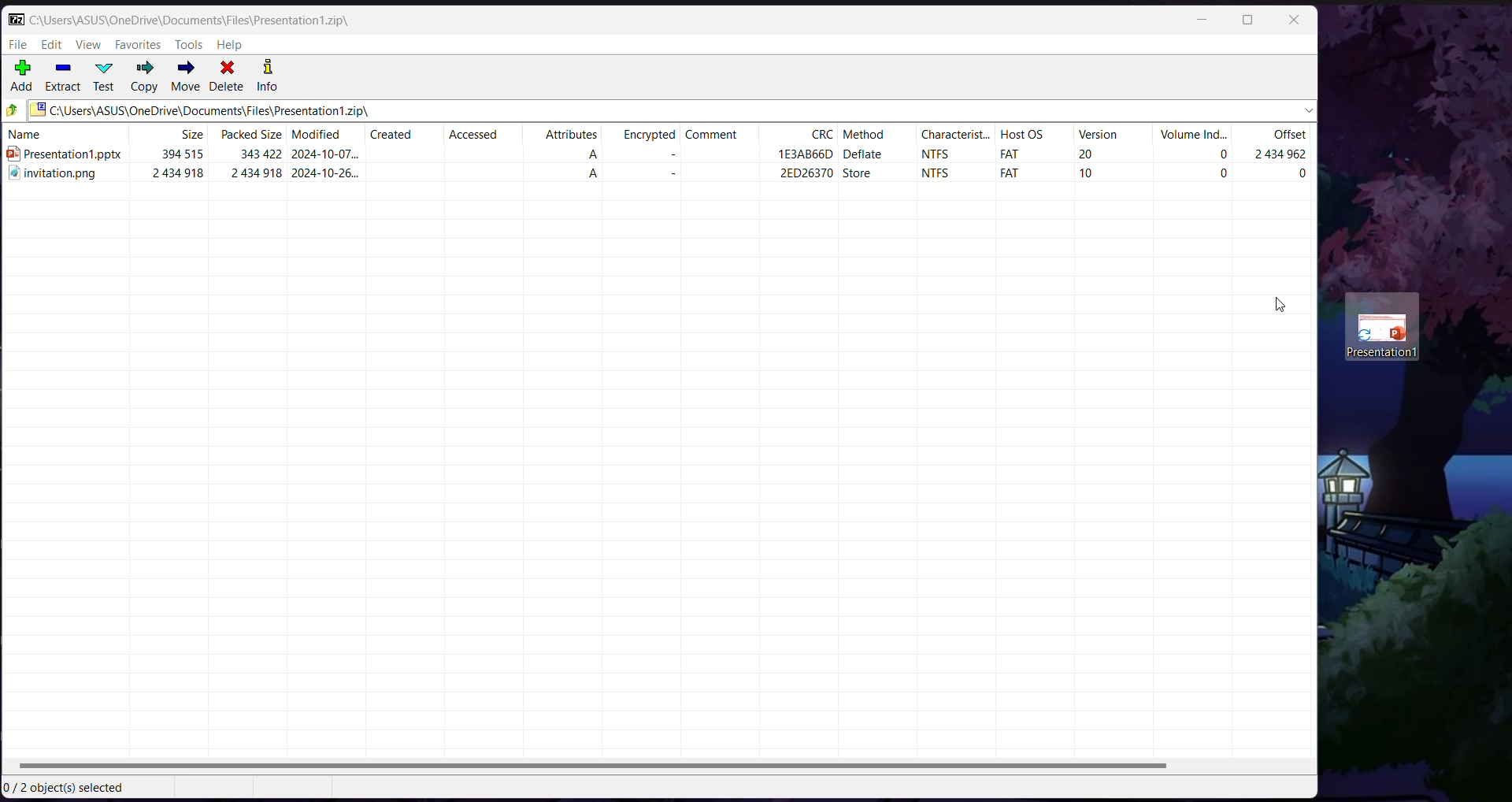 This screenshot has height=802, width=1512. What do you see at coordinates (872, 136) in the screenshot?
I see `method` at bounding box center [872, 136].